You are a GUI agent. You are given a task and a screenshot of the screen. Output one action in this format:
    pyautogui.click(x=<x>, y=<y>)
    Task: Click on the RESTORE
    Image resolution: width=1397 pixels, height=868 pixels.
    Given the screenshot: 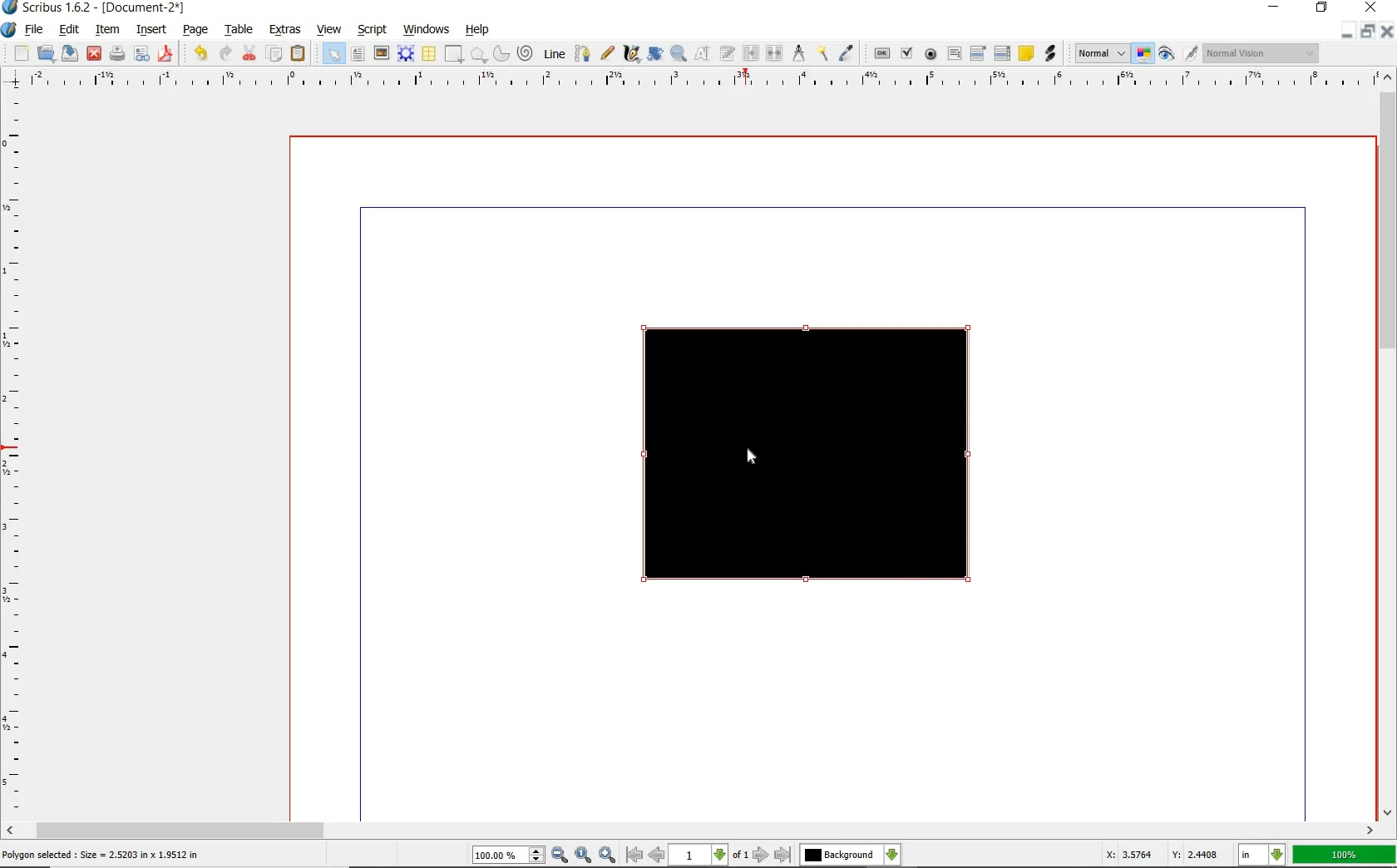 What is the action you would take?
    pyautogui.click(x=1321, y=11)
    